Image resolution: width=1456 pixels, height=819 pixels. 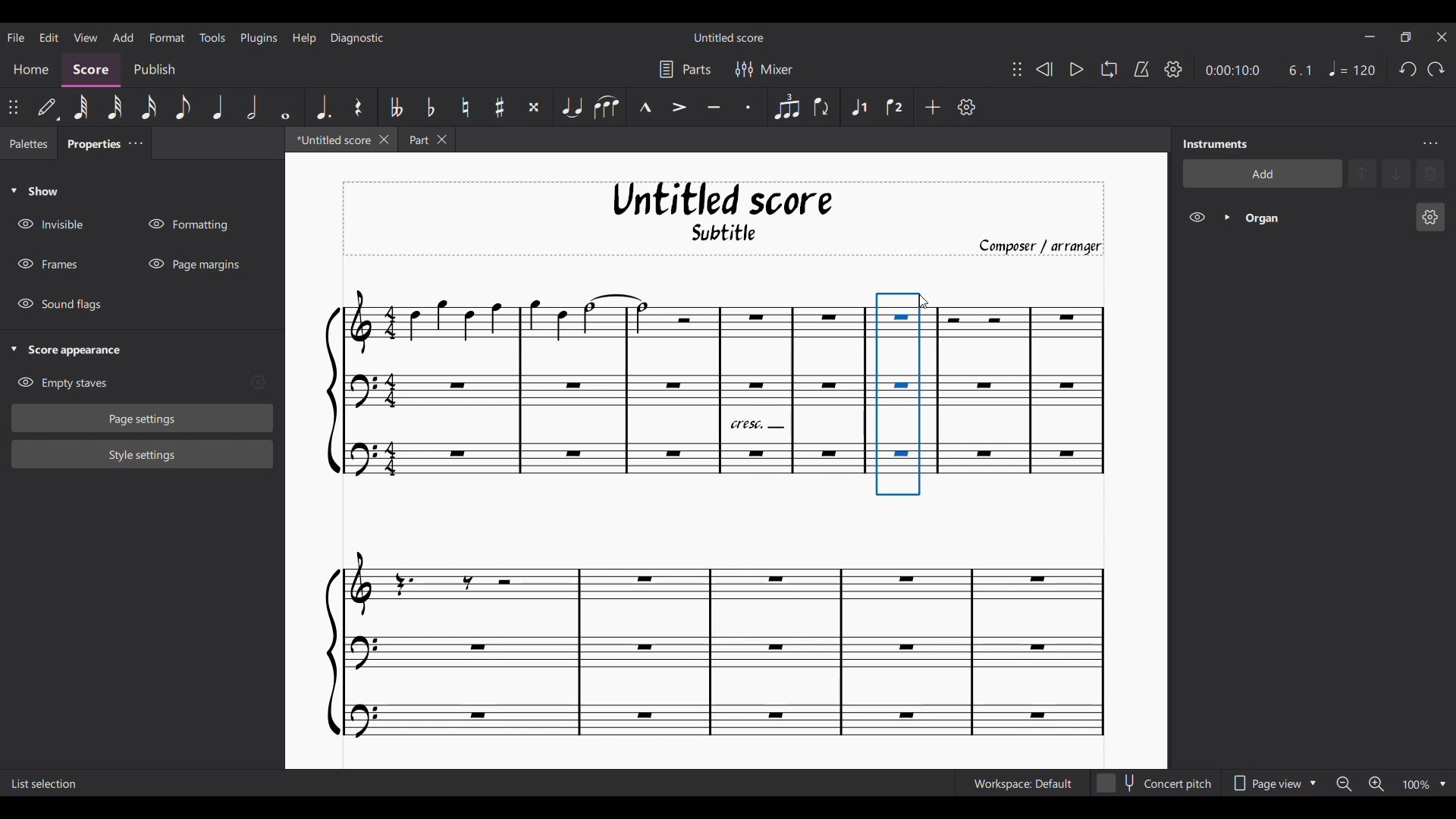 I want to click on Marcato, so click(x=644, y=108).